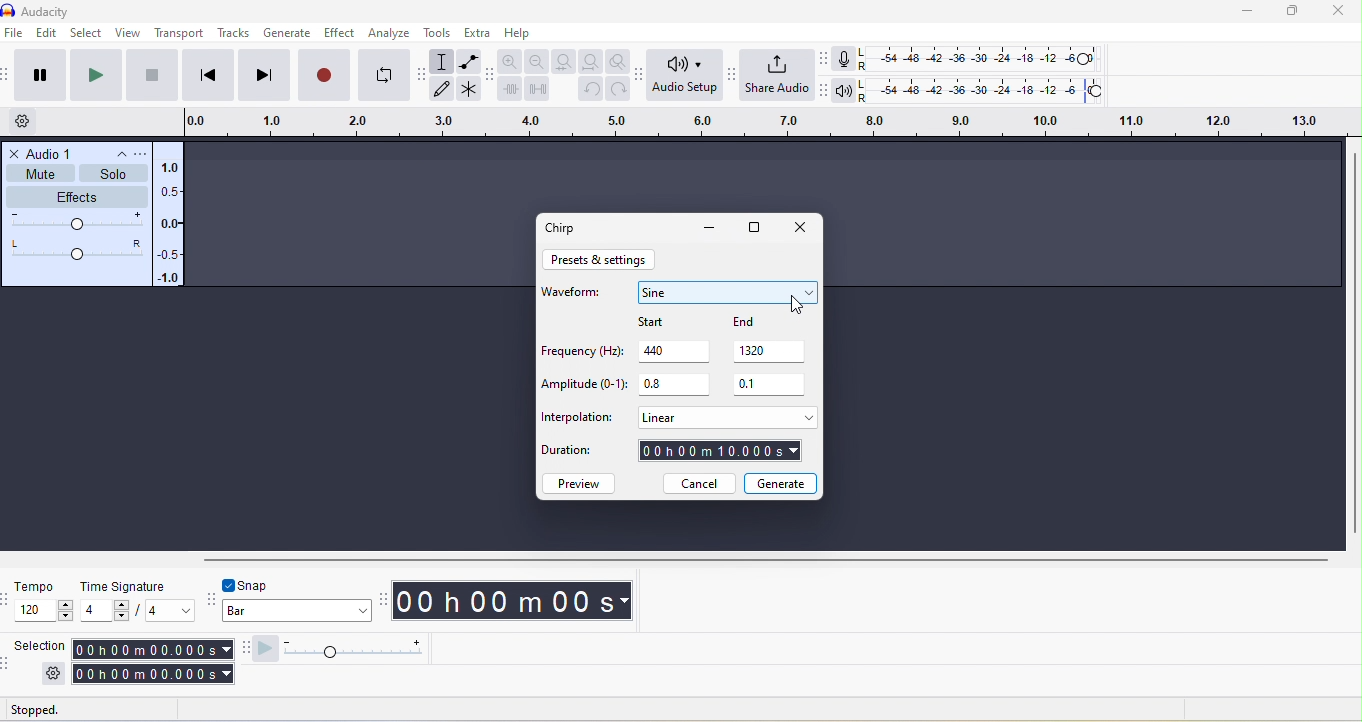 This screenshot has width=1362, height=722. I want to click on 1320, so click(773, 351).